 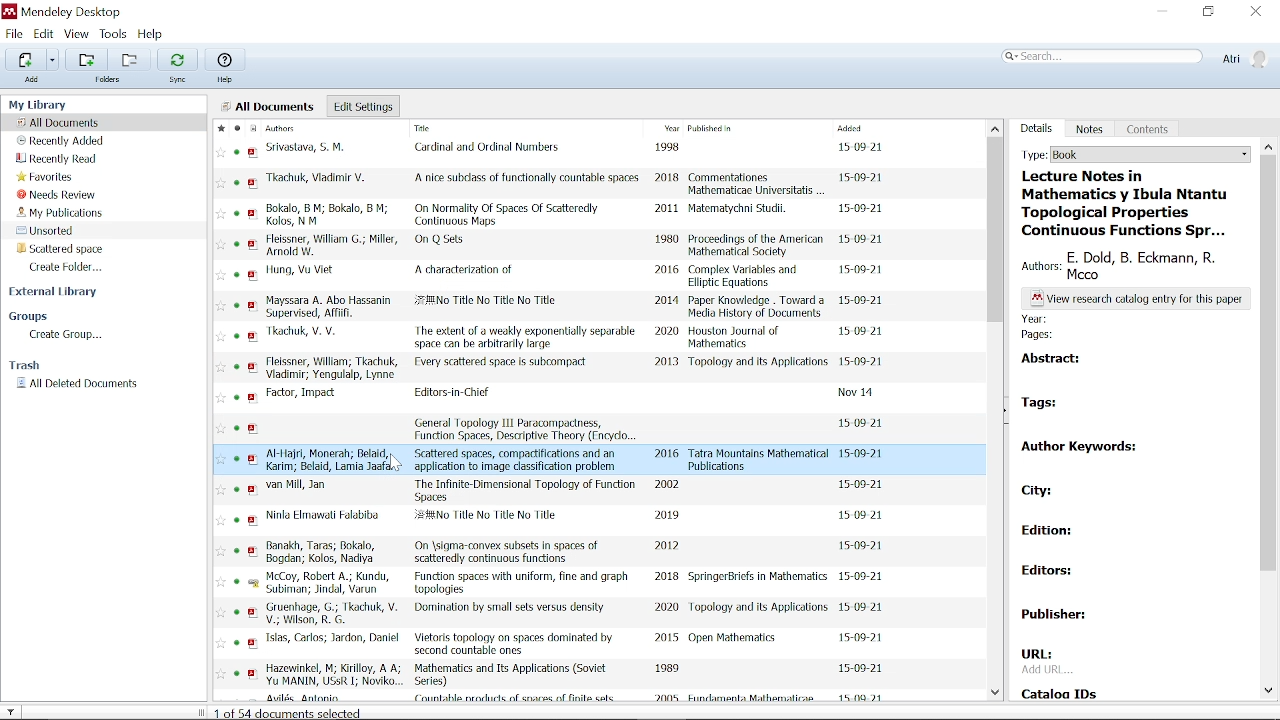 What do you see at coordinates (509, 213) in the screenshot?
I see `title` at bounding box center [509, 213].